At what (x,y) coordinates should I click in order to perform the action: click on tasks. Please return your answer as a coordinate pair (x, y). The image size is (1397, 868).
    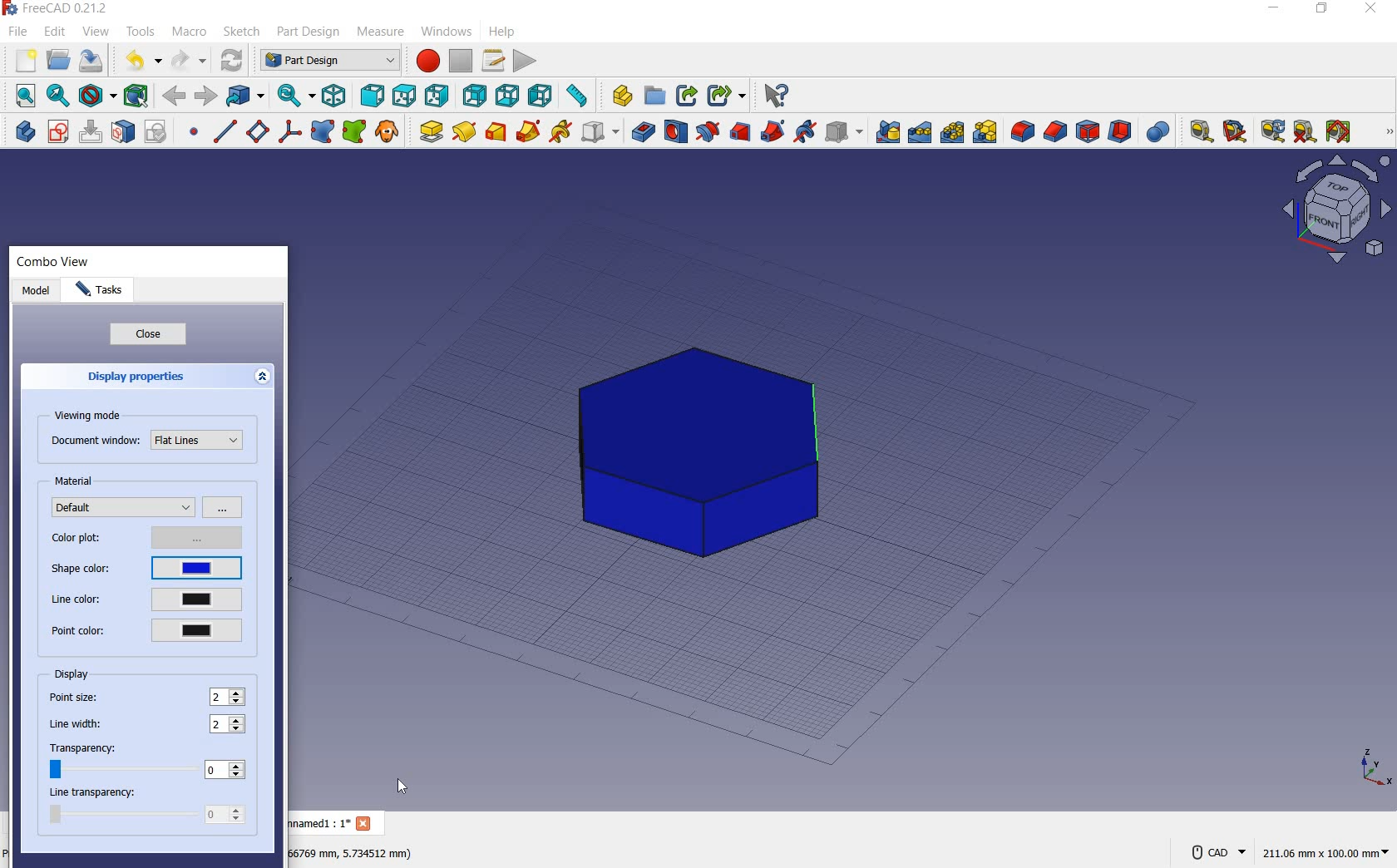
    Looking at the image, I should click on (108, 293).